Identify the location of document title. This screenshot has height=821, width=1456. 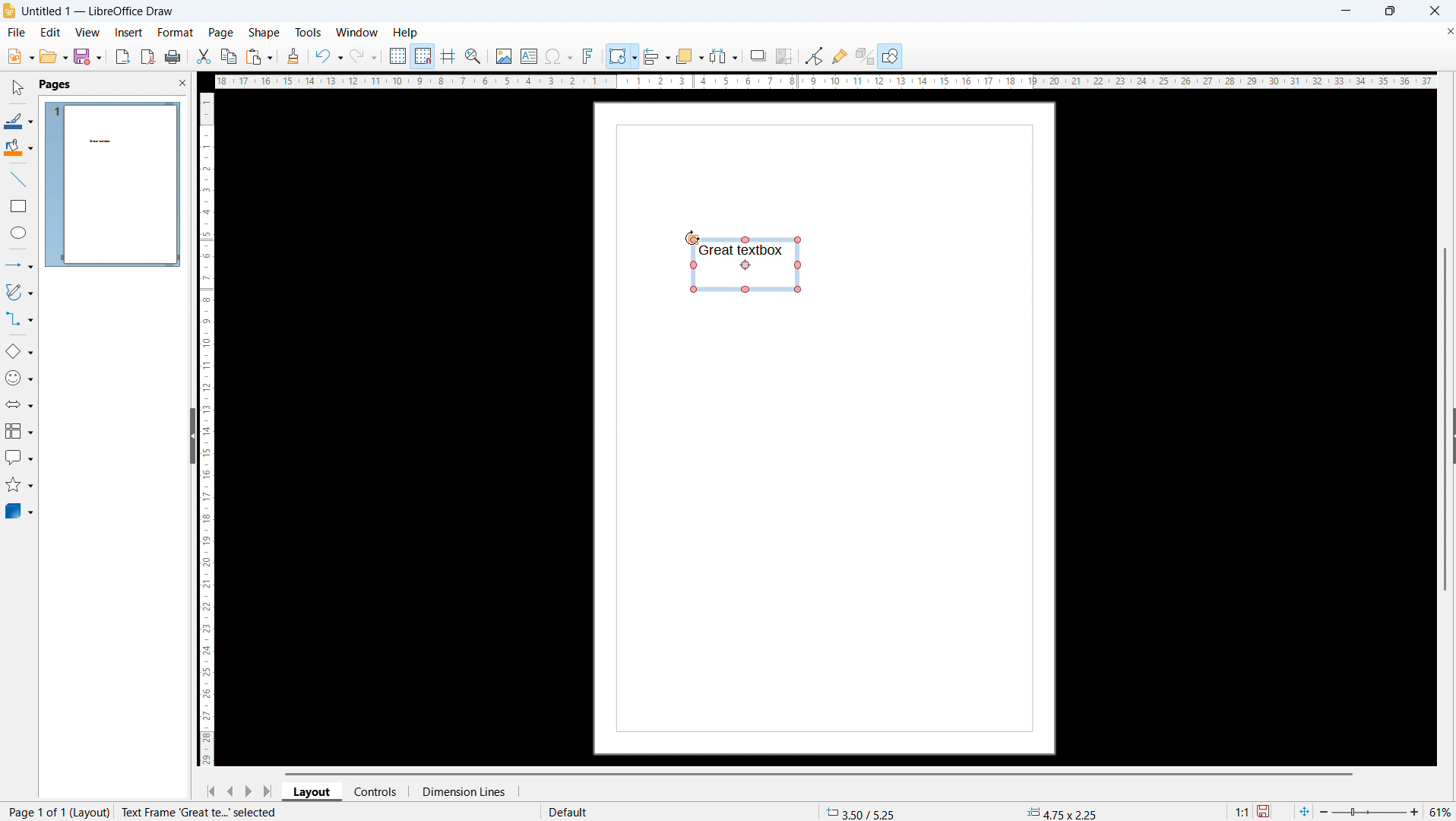
(100, 11).